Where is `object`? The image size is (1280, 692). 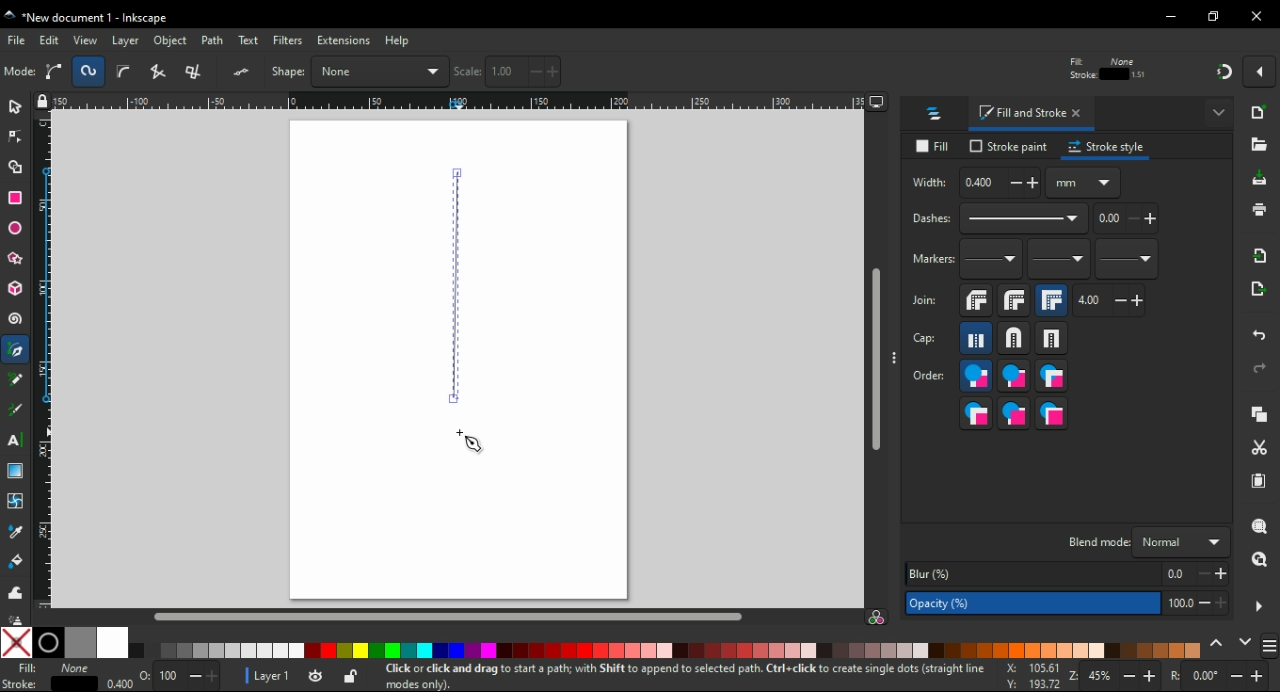
object is located at coordinates (173, 41).